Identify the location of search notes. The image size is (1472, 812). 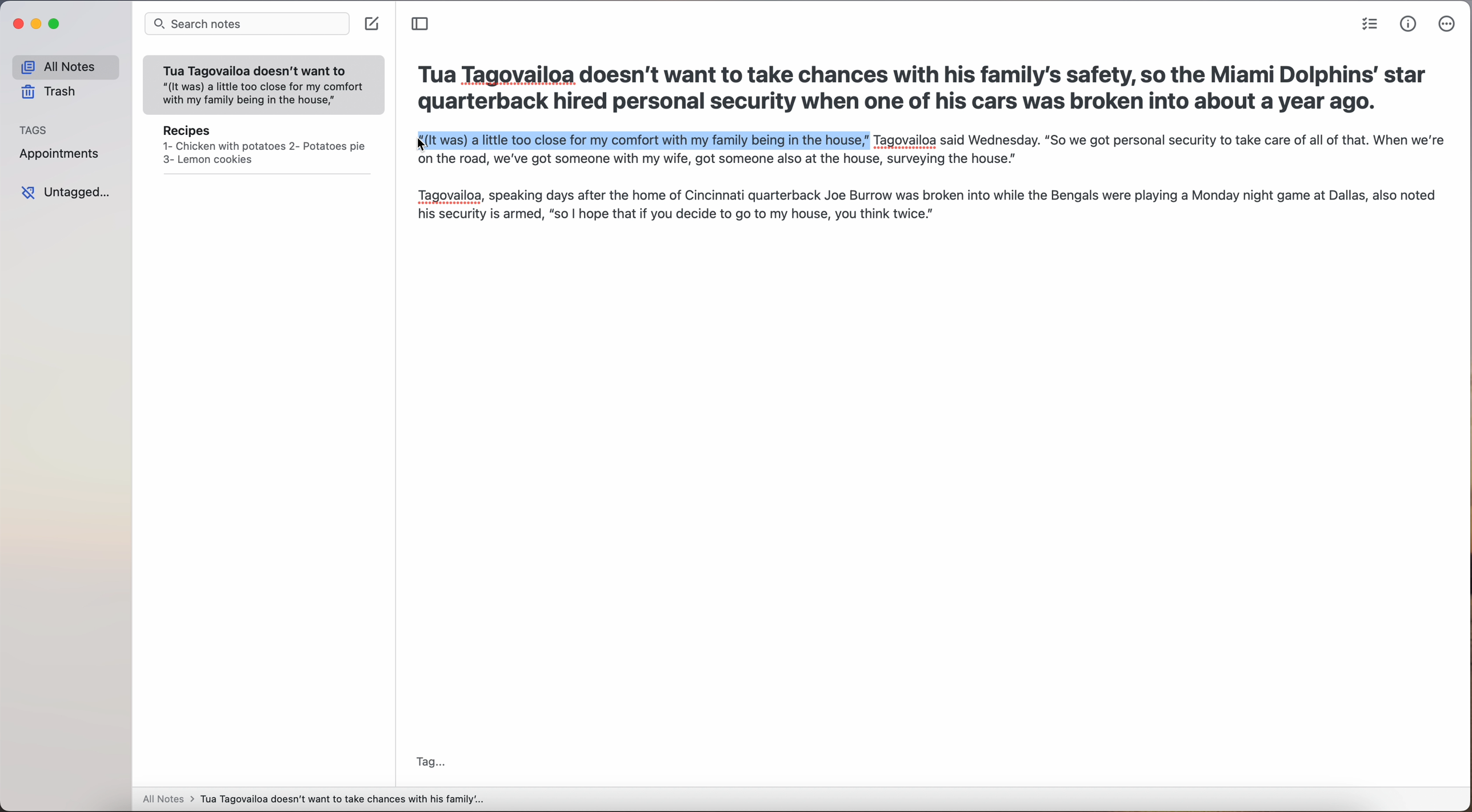
(246, 25).